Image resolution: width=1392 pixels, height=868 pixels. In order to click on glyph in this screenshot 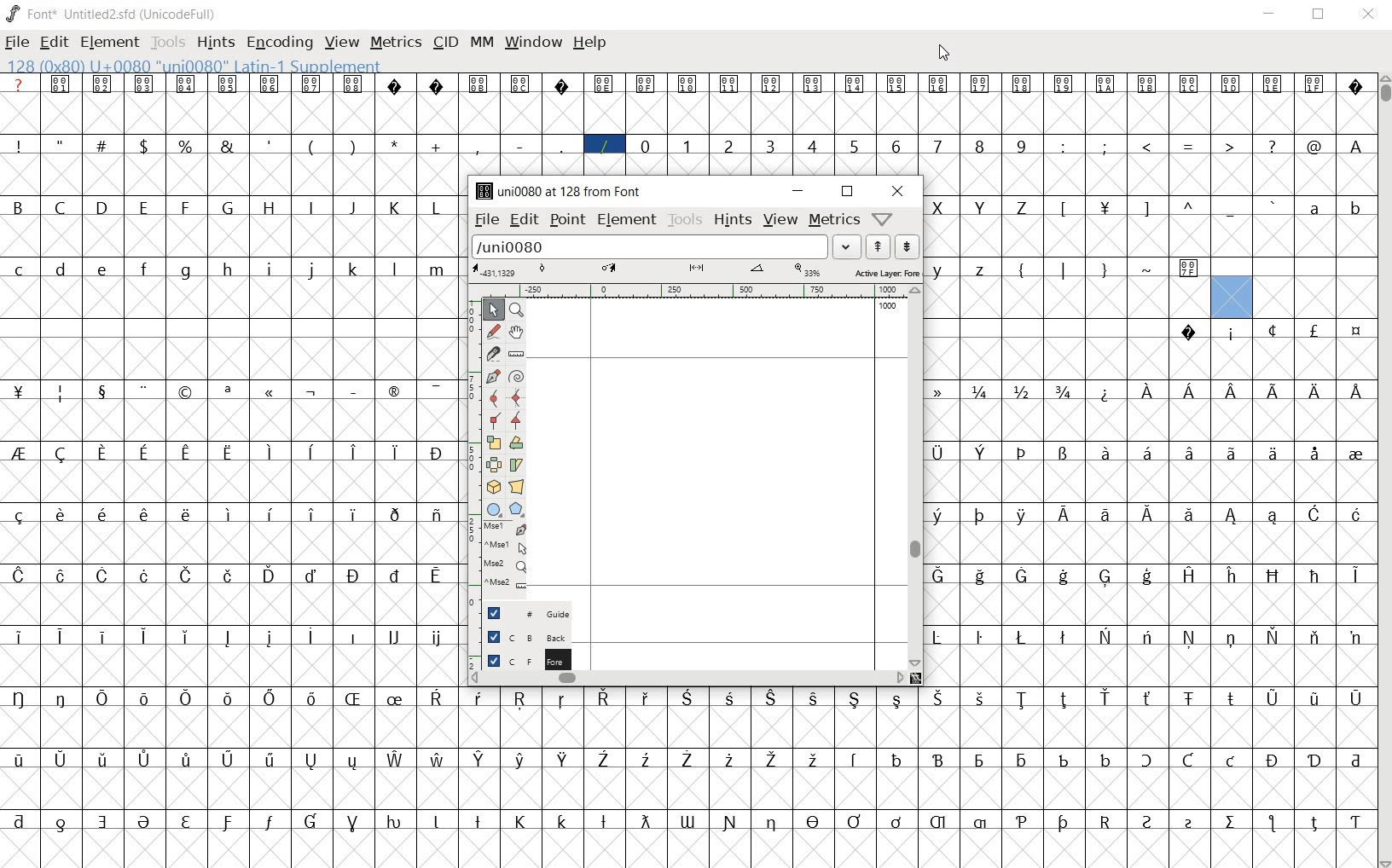, I will do `click(143, 822)`.